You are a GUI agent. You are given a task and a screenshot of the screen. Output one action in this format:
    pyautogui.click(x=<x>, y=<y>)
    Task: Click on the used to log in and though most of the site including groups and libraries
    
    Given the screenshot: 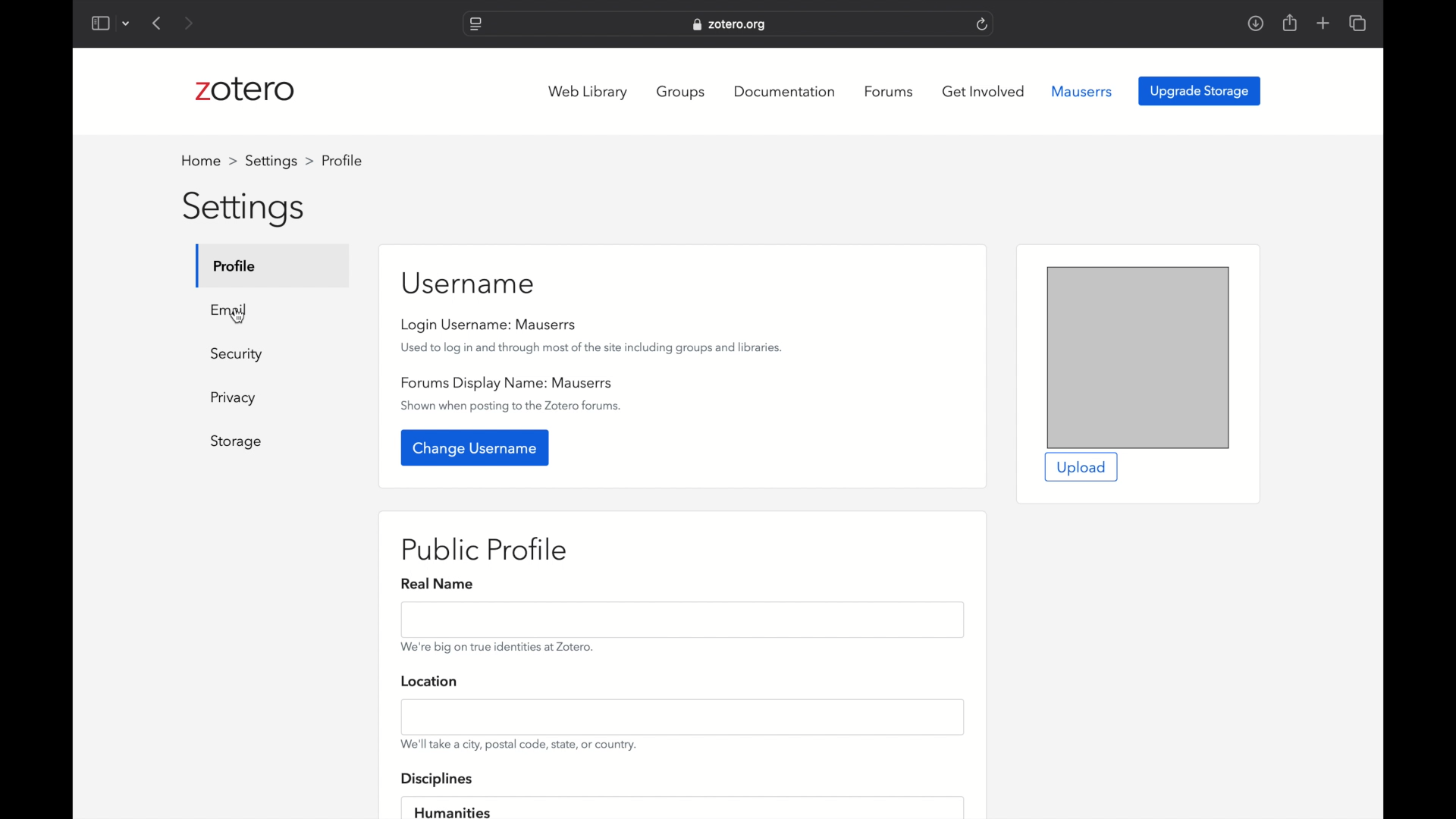 What is the action you would take?
    pyautogui.click(x=591, y=347)
    